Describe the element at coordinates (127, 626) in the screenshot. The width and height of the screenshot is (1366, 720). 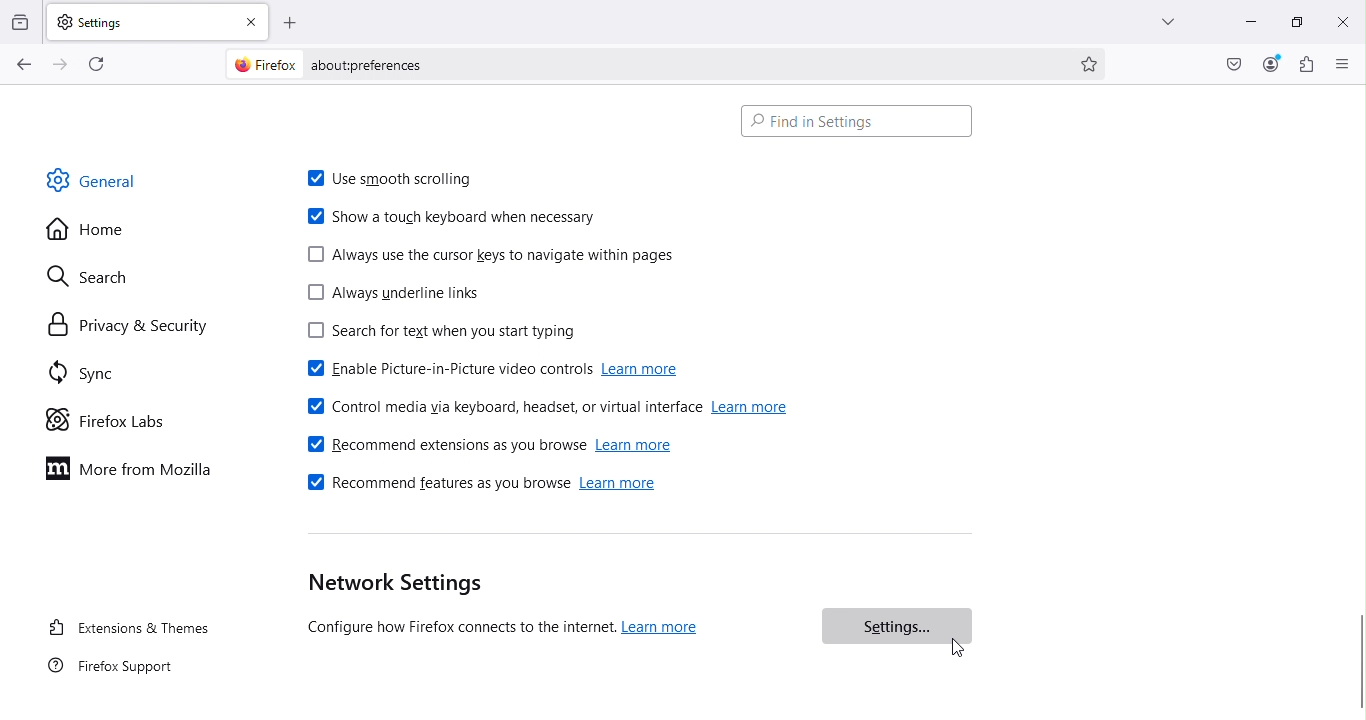
I see `Extensions and themes` at that location.